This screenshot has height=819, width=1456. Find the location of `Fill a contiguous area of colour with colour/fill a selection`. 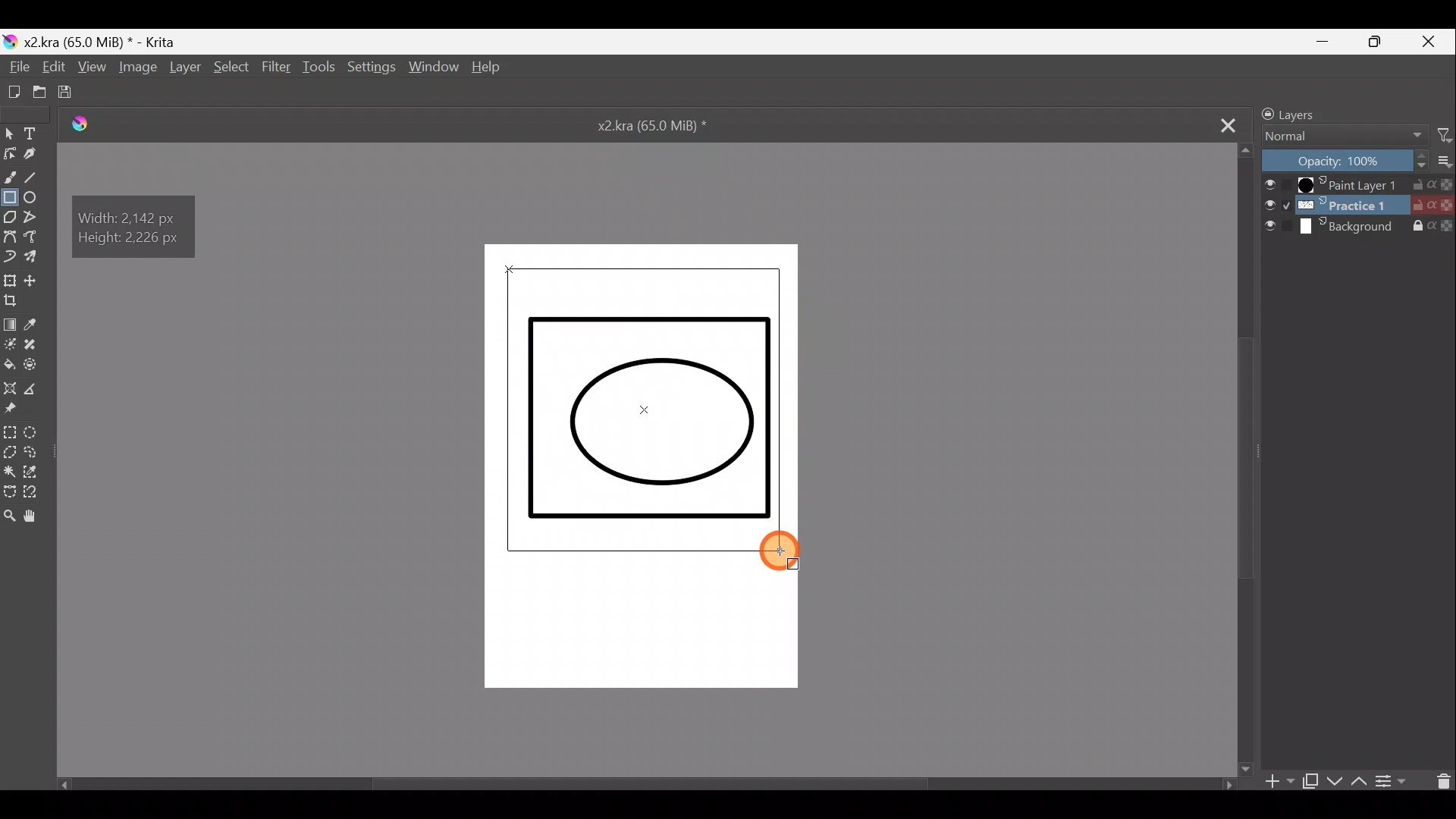

Fill a contiguous area of colour with colour/fill a selection is located at coordinates (11, 364).